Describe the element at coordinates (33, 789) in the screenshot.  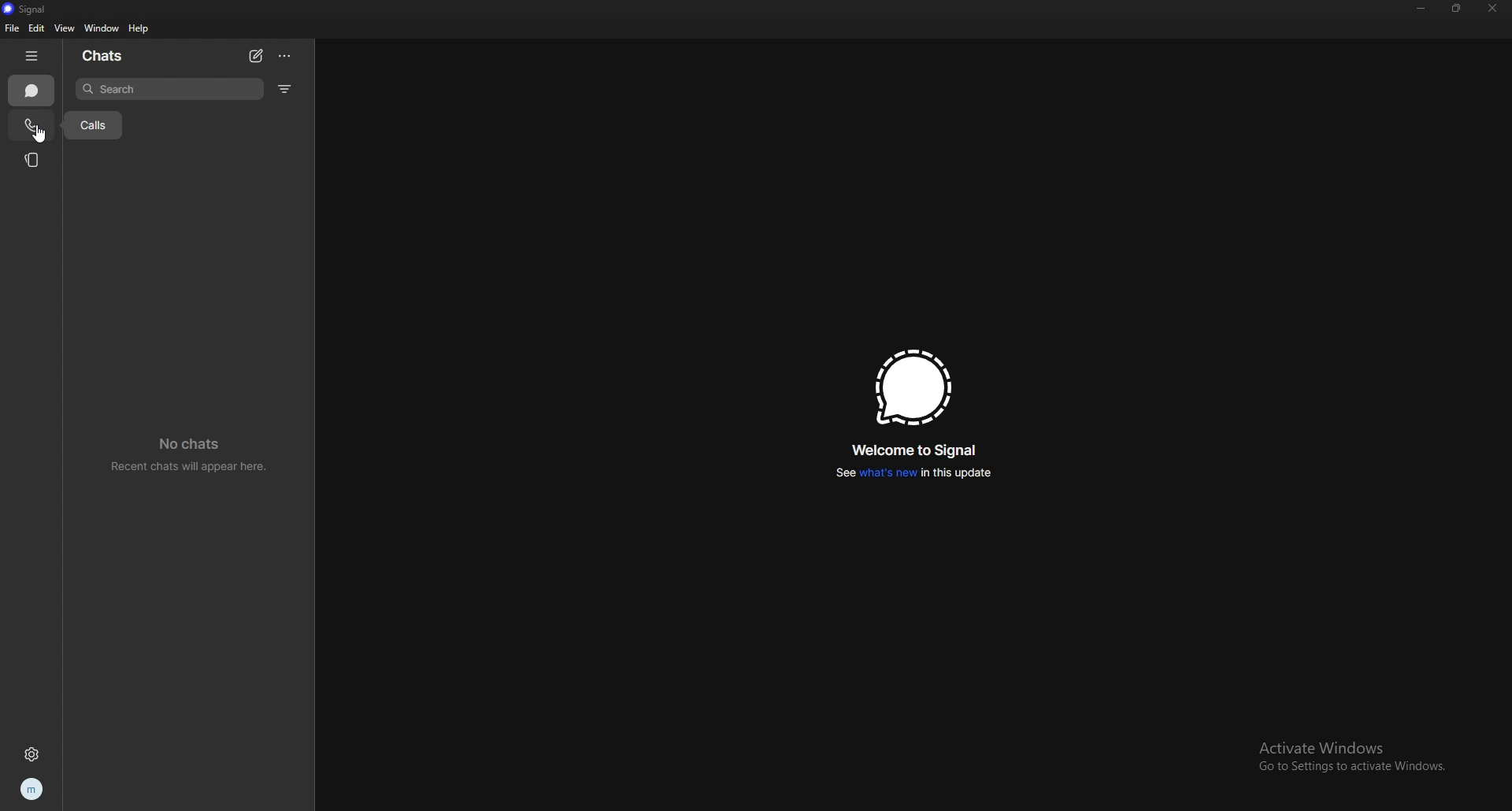
I see `profile` at that location.